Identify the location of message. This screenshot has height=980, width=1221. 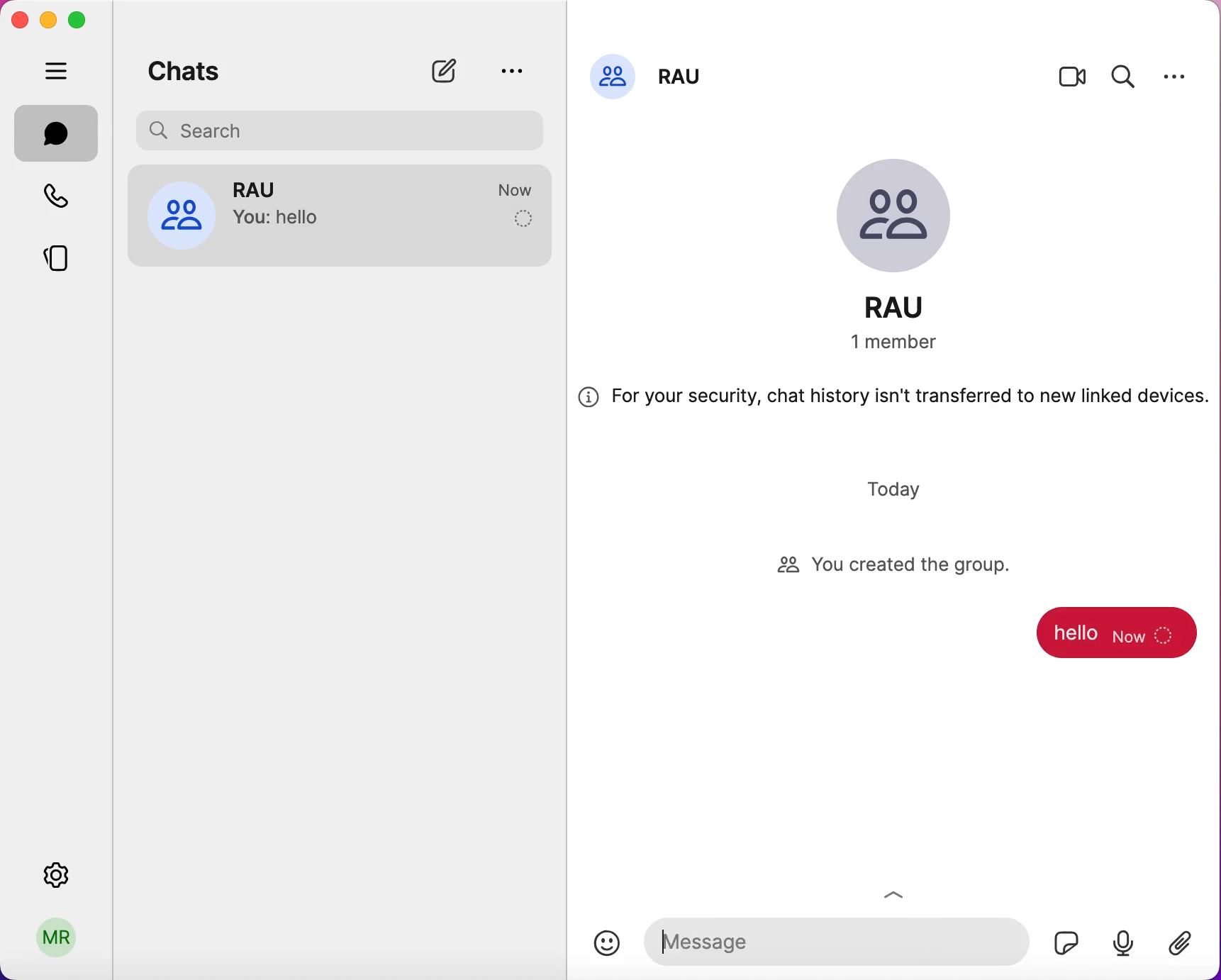
(835, 938).